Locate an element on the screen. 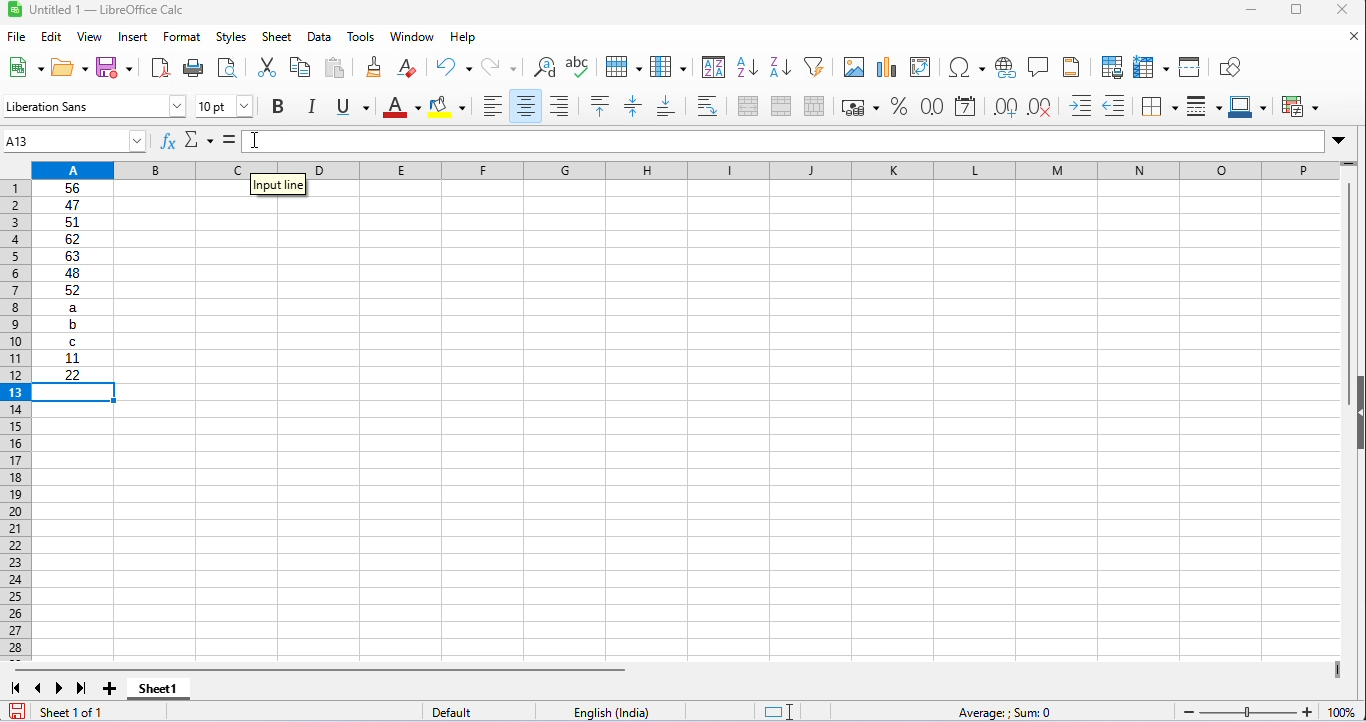 The height and width of the screenshot is (722, 1366). window is located at coordinates (413, 38).